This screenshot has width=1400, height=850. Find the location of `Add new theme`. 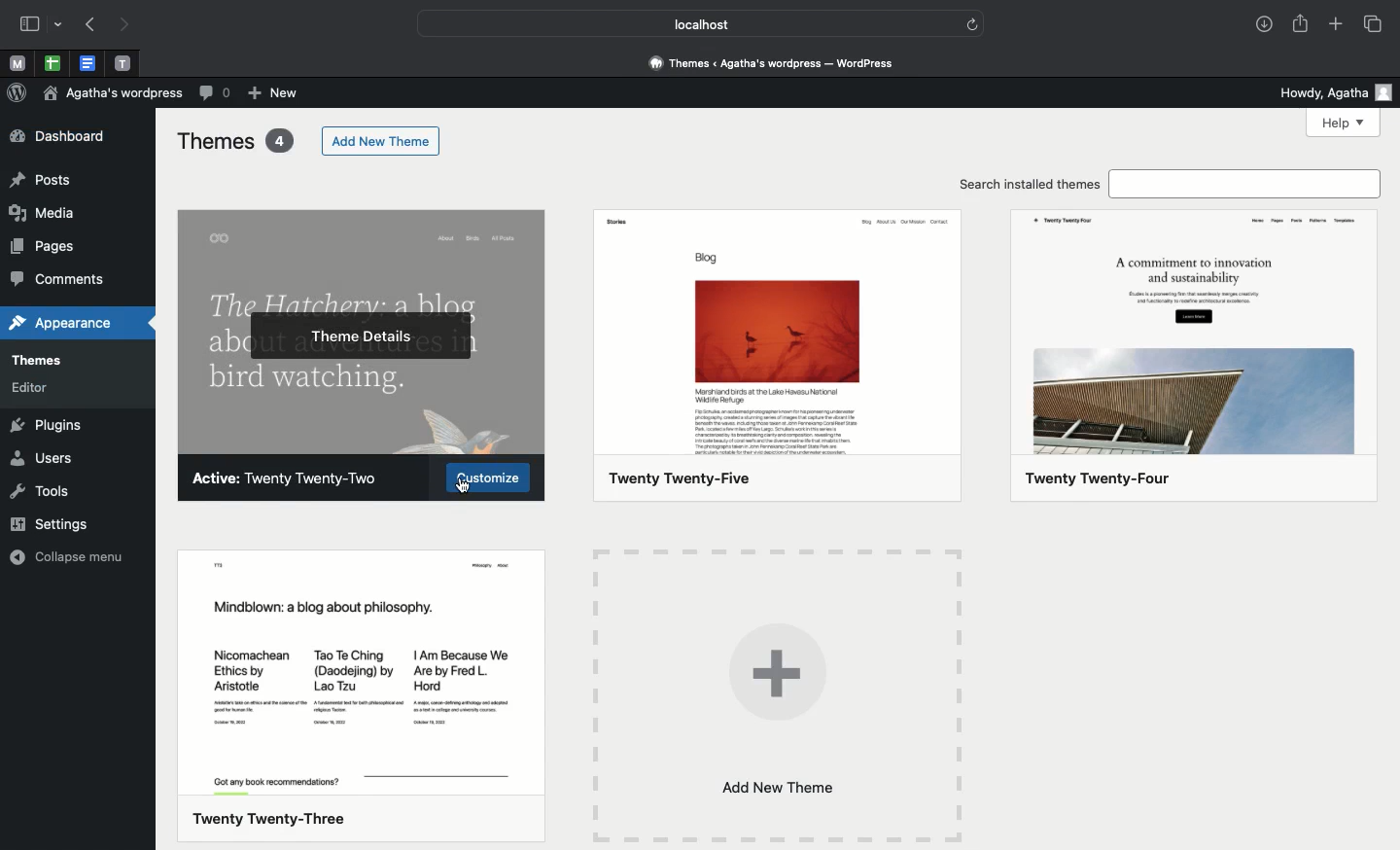

Add new theme is located at coordinates (380, 142).